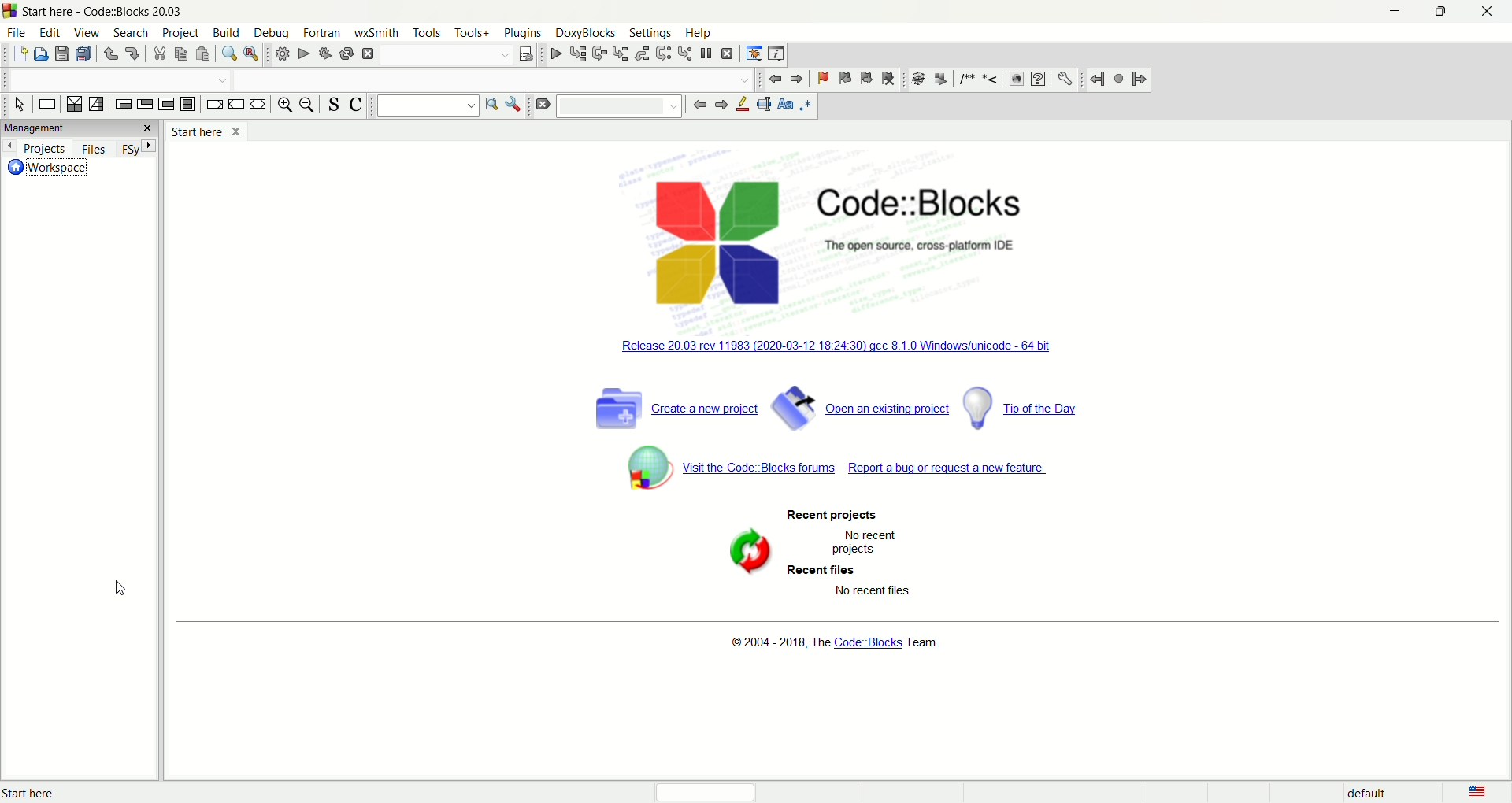 The width and height of the screenshot is (1512, 803). Describe the element at coordinates (138, 148) in the screenshot. I see `Fsy` at that location.